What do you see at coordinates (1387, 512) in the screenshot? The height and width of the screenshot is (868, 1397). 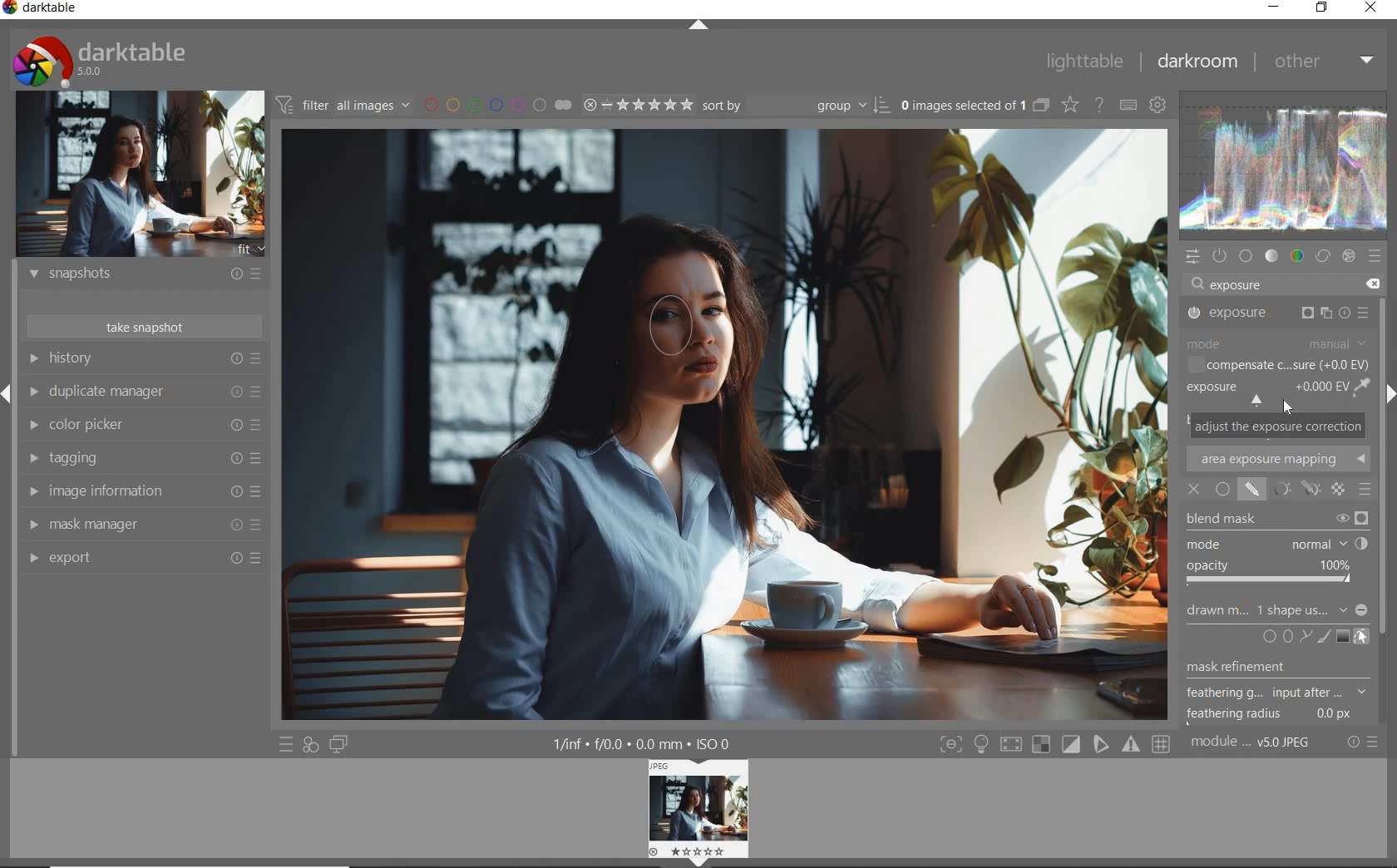 I see `scrollbar` at bounding box center [1387, 512].